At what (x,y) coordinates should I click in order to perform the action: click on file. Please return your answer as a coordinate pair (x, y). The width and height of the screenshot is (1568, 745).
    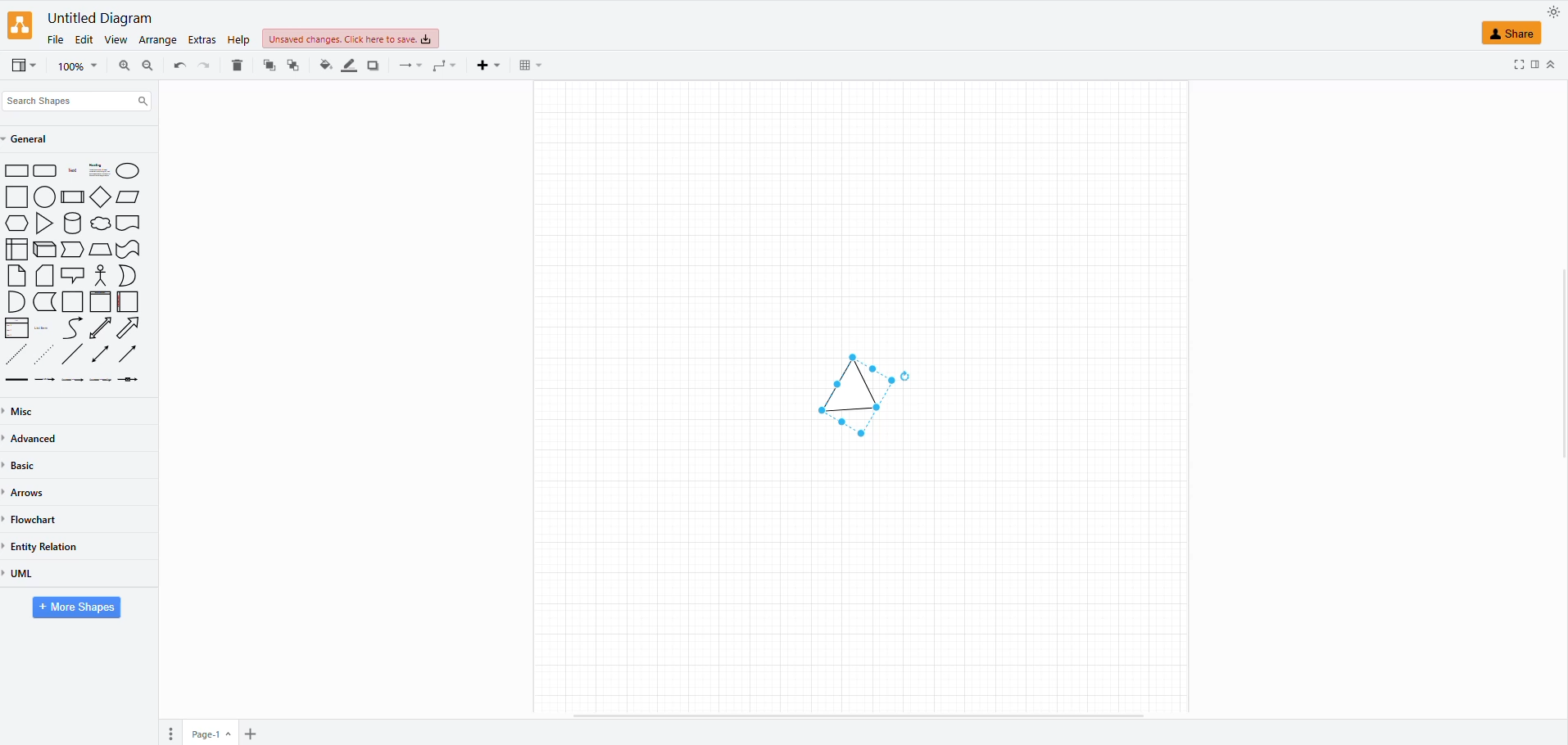
    Looking at the image, I should click on (54, 38).